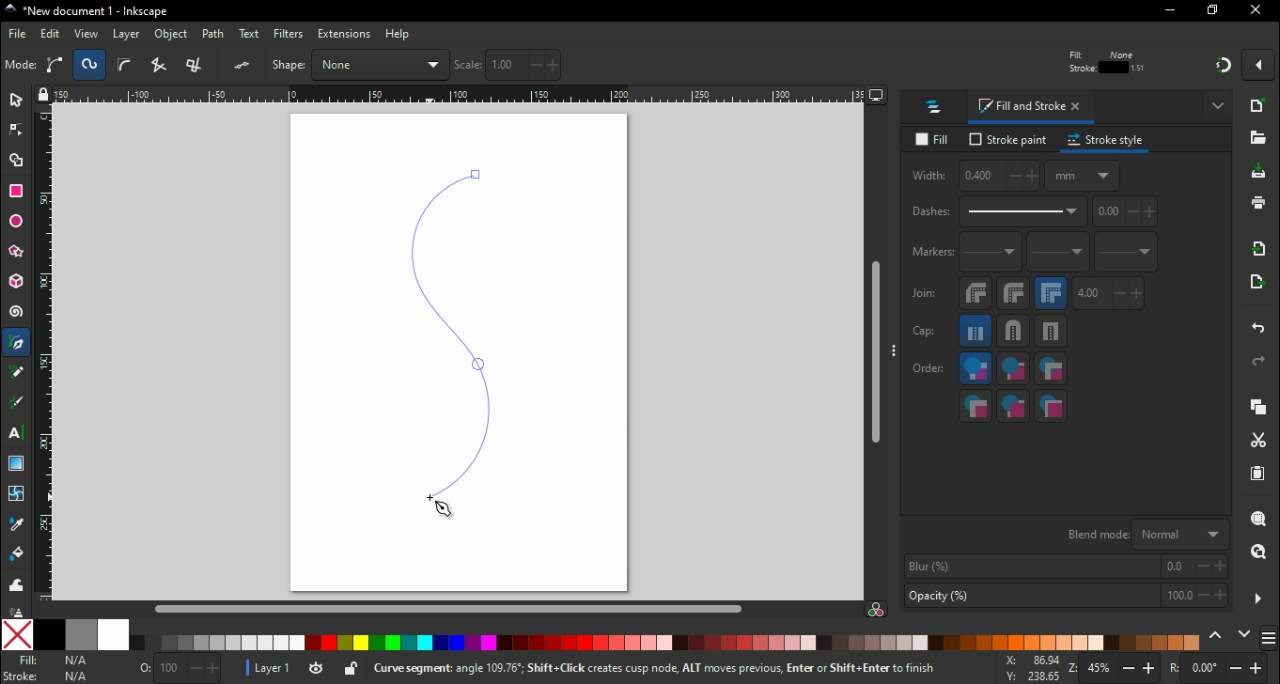 Image resolution: width=1280 pixels, height=684 pixels. I want to click on width, so click(976, 179).